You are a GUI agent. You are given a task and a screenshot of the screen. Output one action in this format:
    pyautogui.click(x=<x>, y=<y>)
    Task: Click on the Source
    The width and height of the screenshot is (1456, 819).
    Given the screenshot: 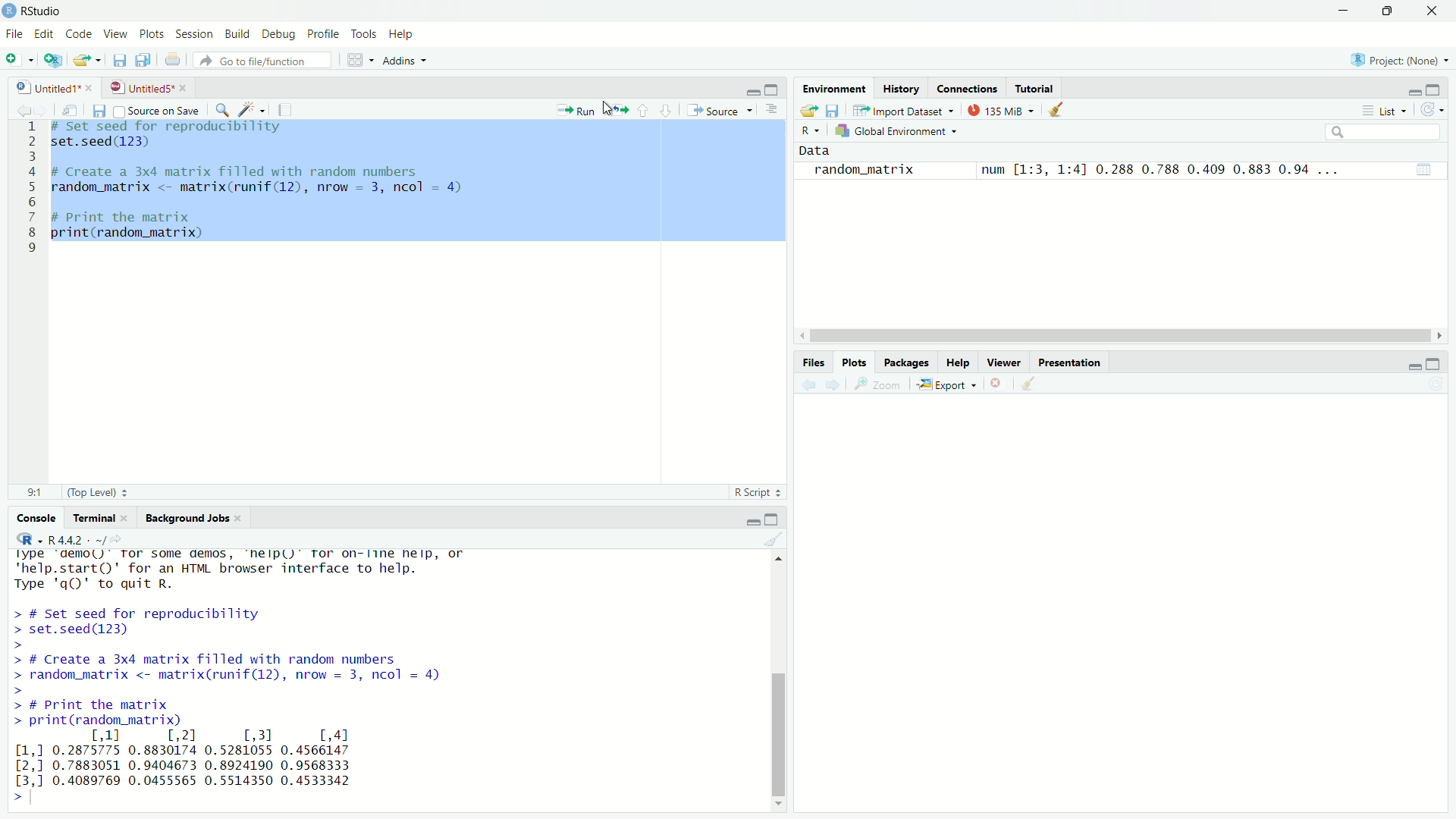 What is the action you would take?
    pyautogui.click(x=722, y=108)
    